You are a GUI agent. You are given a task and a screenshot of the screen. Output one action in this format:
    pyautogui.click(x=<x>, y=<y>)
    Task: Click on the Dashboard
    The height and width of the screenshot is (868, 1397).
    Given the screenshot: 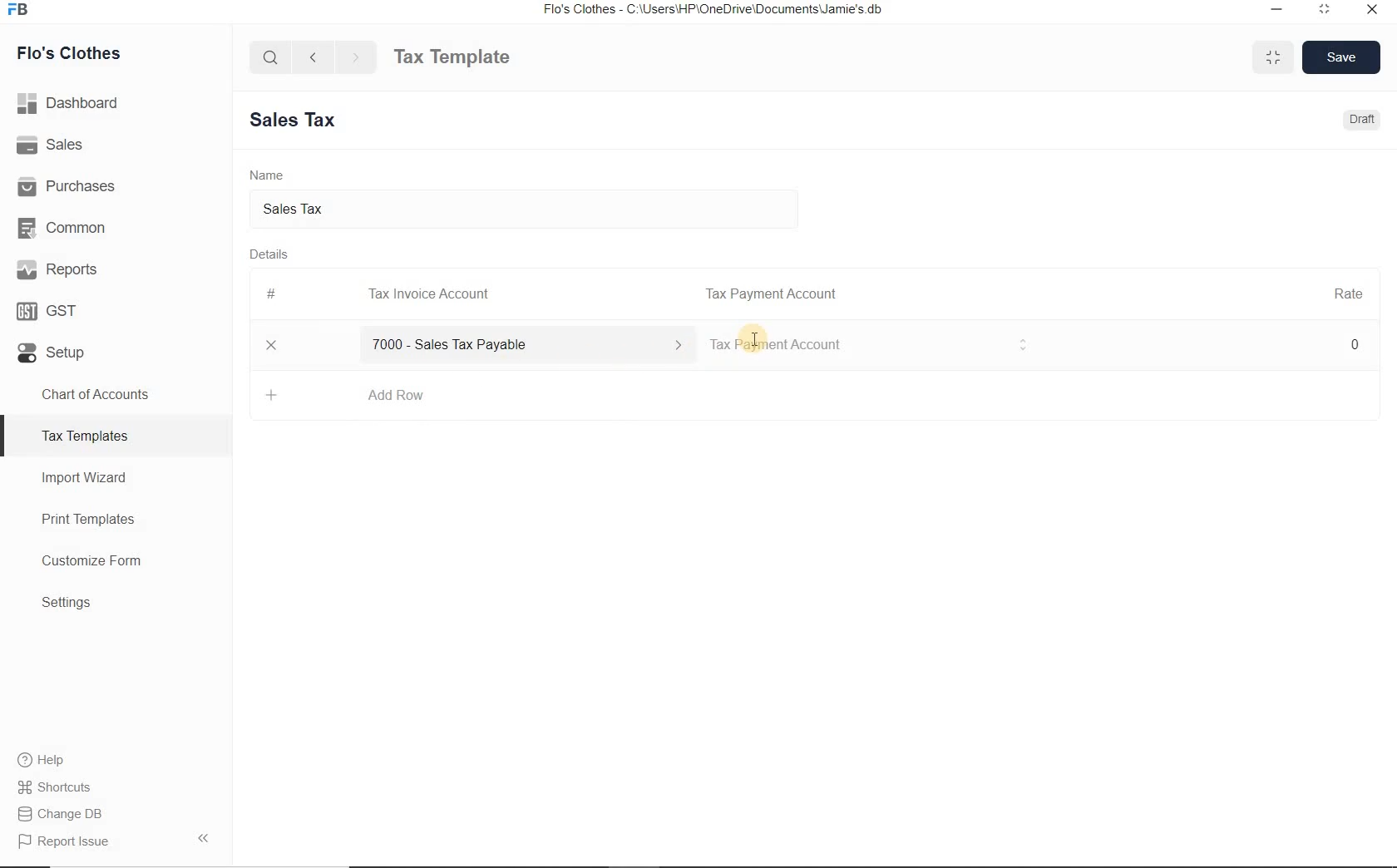 What is the action you would take?
    pyautogui.click(x=116, y=103)
    